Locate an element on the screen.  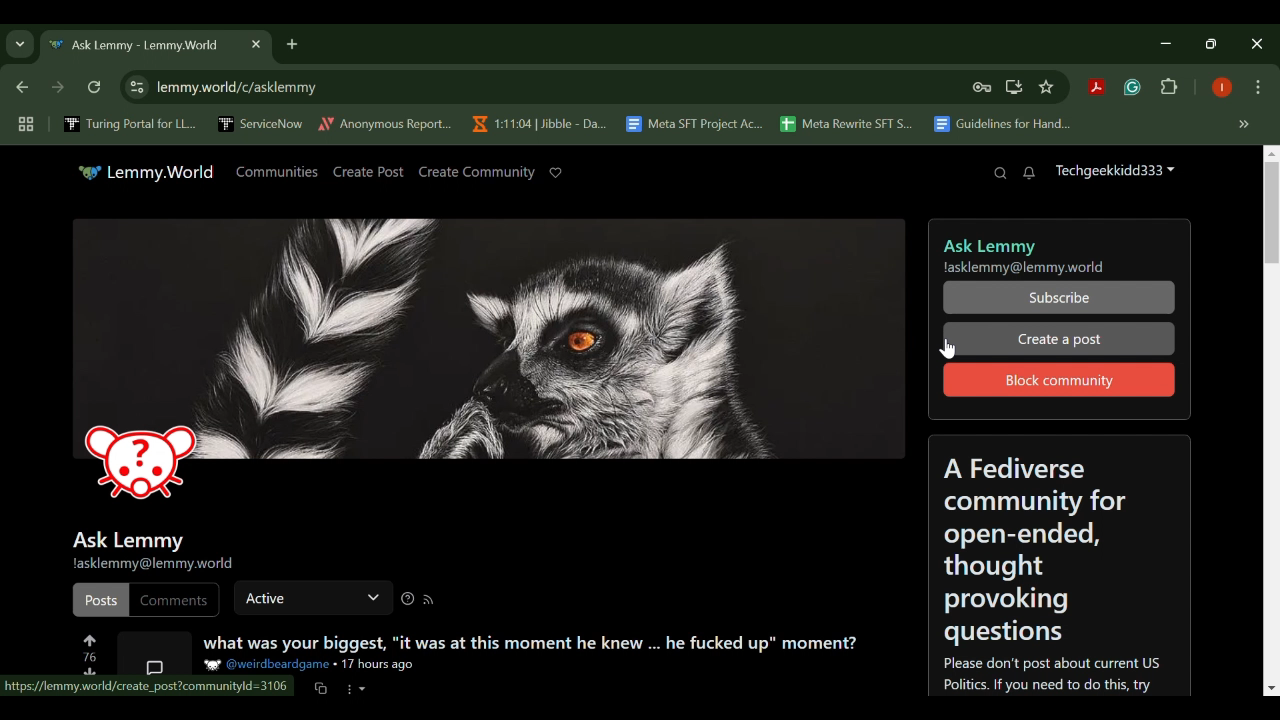
Guidelines for Hand... is located at coordinates (1000, 124).